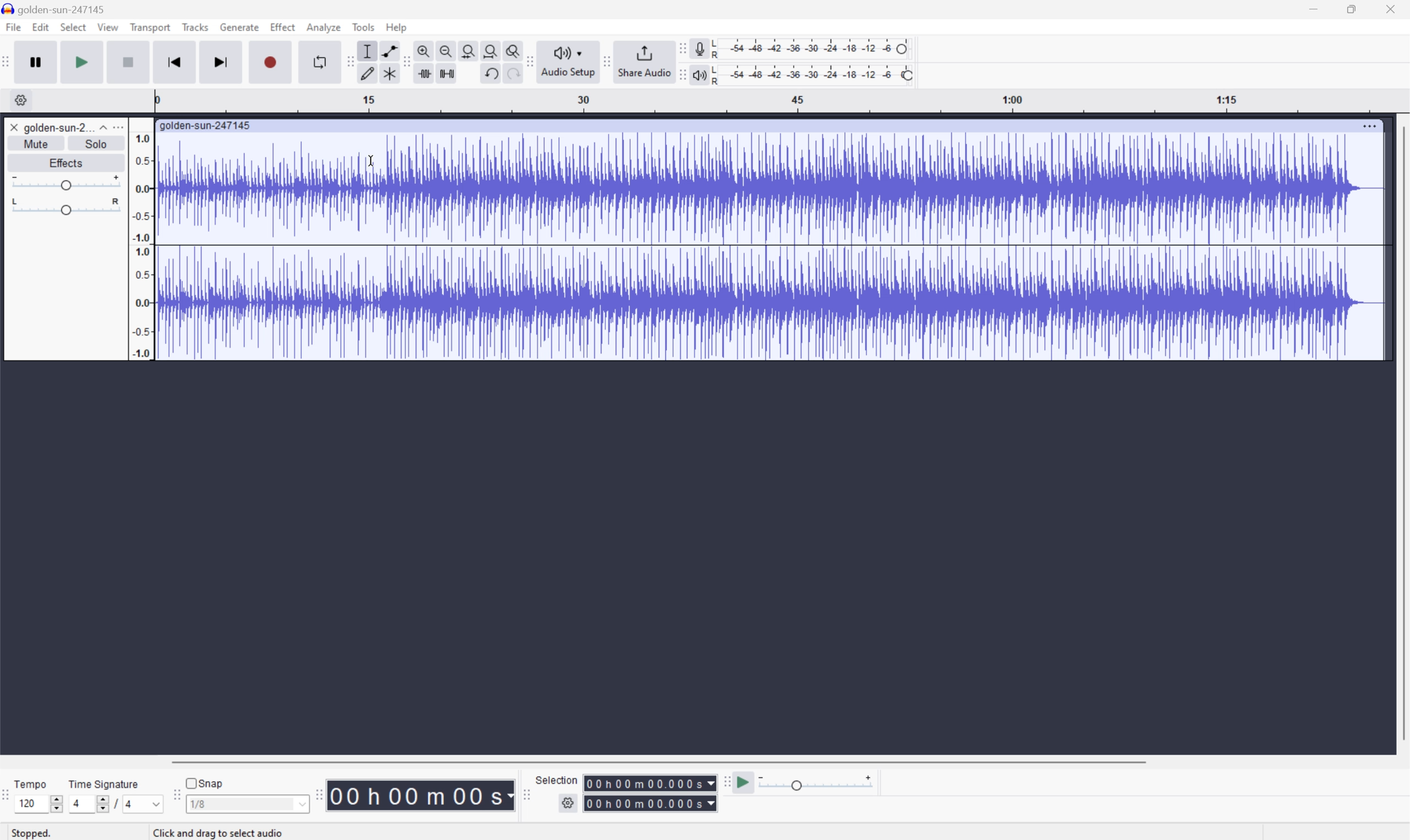  What do you see at coordinates (1348, 8) in the screenshot?
I see `Restore Down` at bounding box center [1348, 8].